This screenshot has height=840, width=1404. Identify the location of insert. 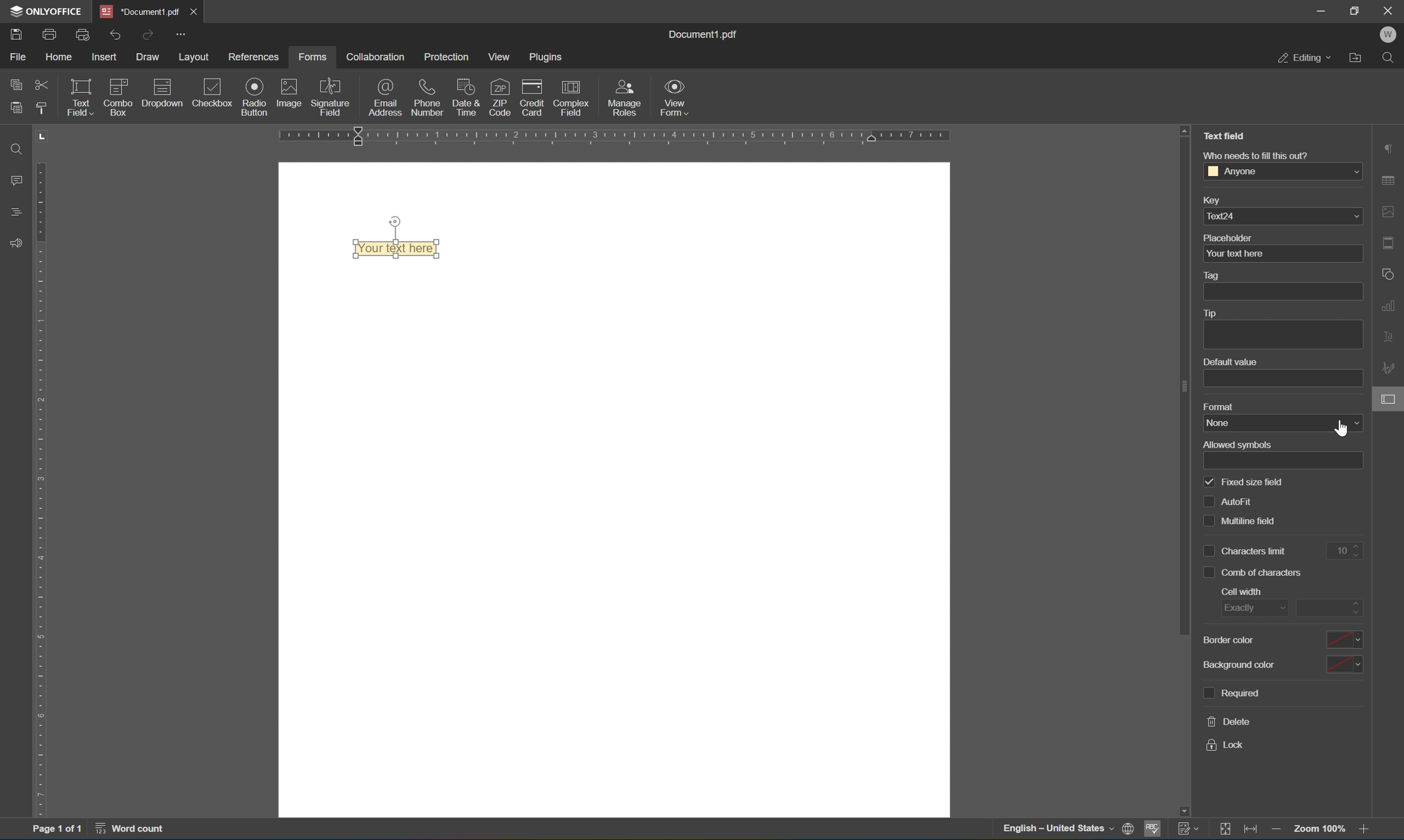
(106, 58).